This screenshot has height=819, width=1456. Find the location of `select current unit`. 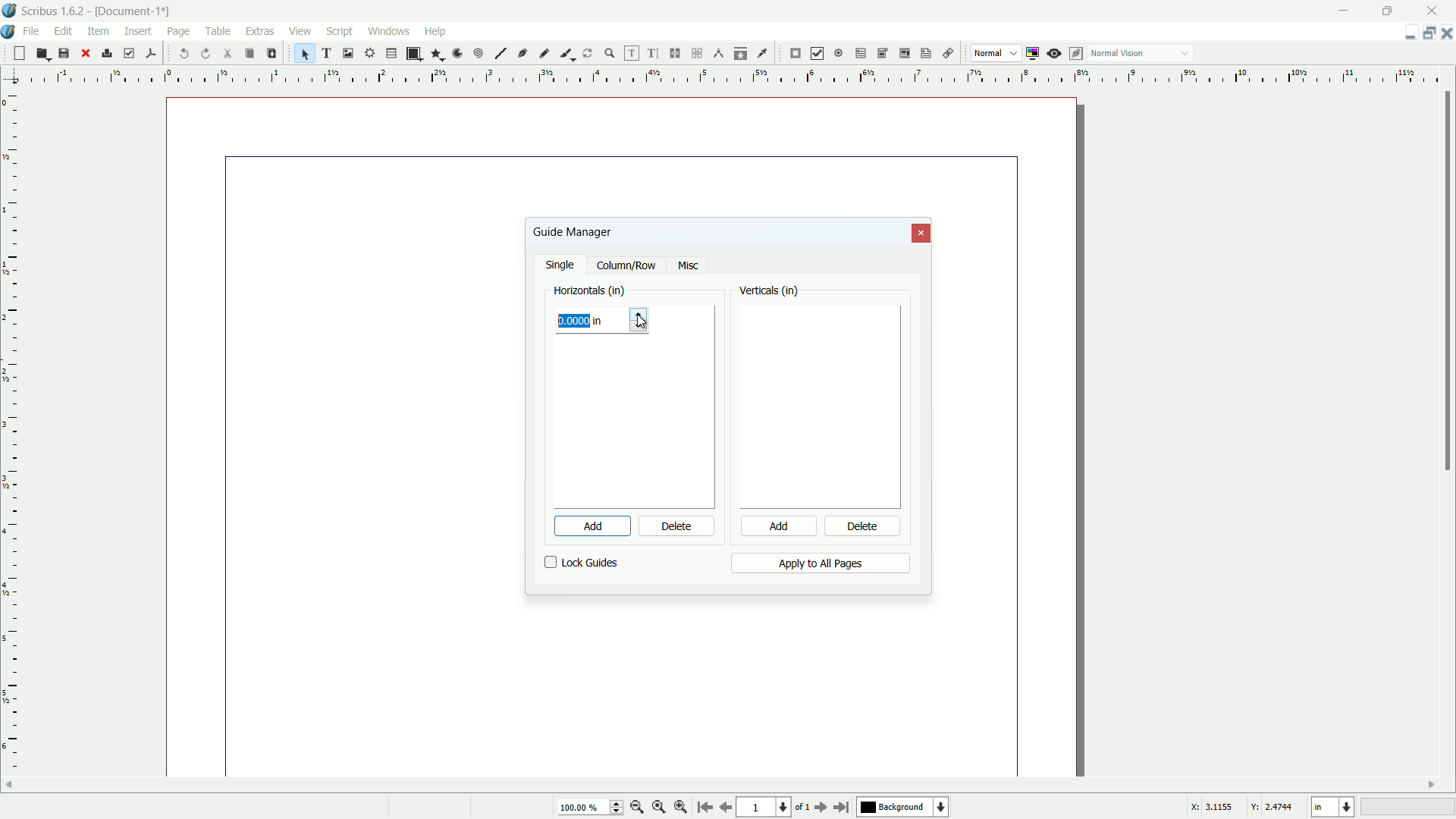

select current unit is located at coordinates (1332, 808).